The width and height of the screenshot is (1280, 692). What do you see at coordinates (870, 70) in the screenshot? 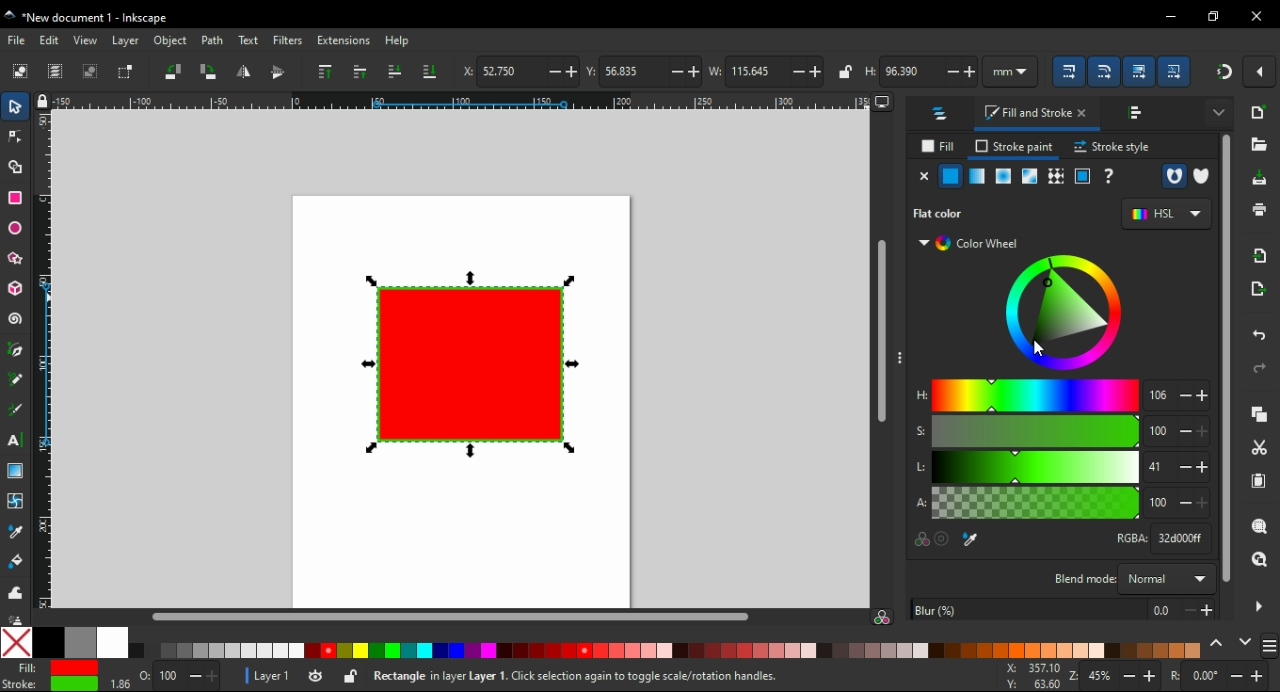
I see `height of selection` at bounding box center [870, 70].